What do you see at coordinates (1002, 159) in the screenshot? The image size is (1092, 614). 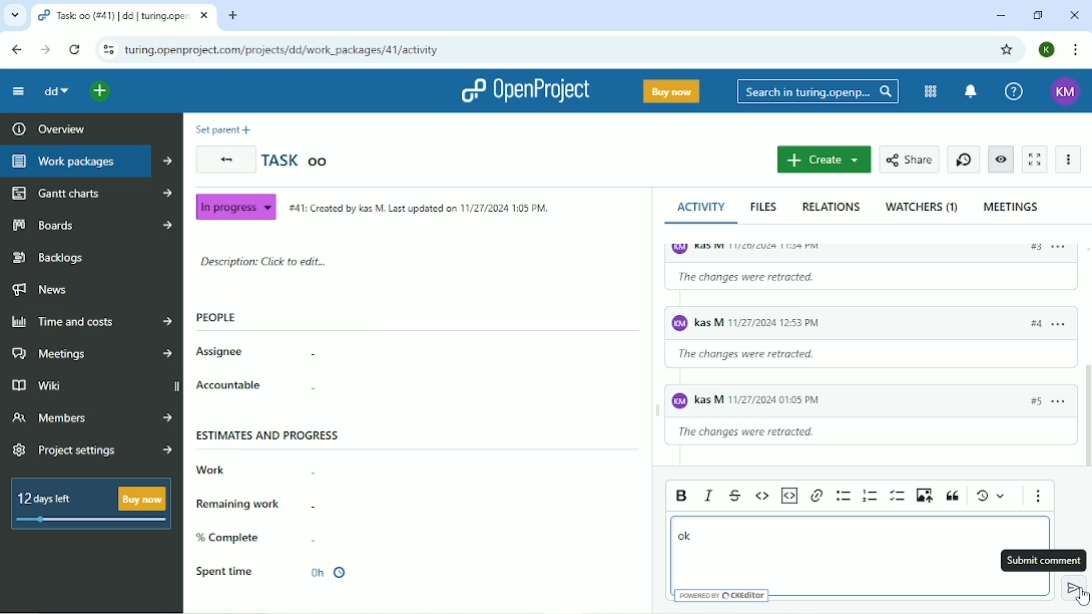 I see `Unwatch work package` at bounding box center [1002, 159].